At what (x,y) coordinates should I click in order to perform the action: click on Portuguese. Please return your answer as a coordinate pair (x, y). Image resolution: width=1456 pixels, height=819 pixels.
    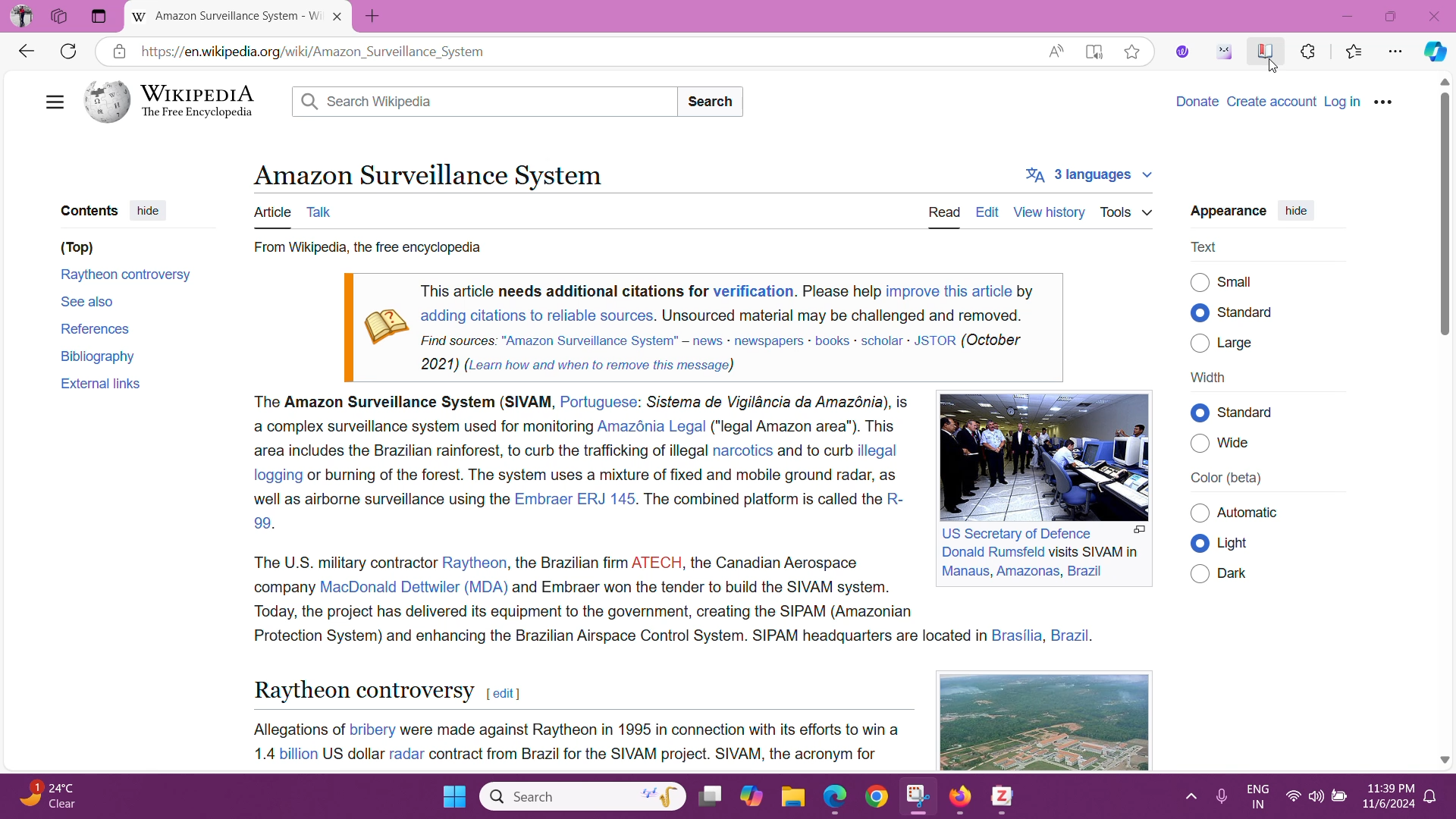
    Looking at the image, I should click on (598, 403).